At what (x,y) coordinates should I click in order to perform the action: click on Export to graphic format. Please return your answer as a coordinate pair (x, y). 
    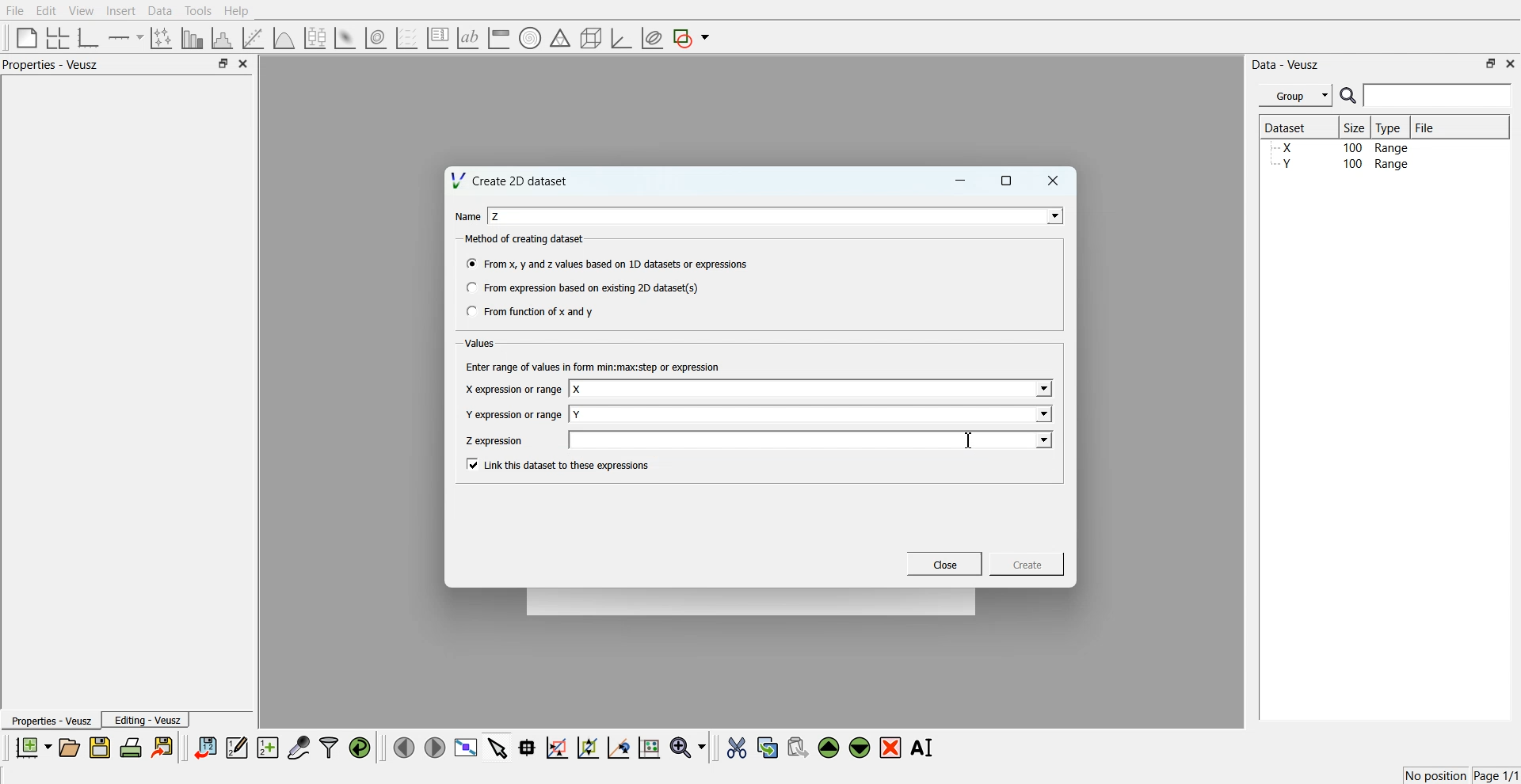
    Looking at the image, I should click on (164, 747).